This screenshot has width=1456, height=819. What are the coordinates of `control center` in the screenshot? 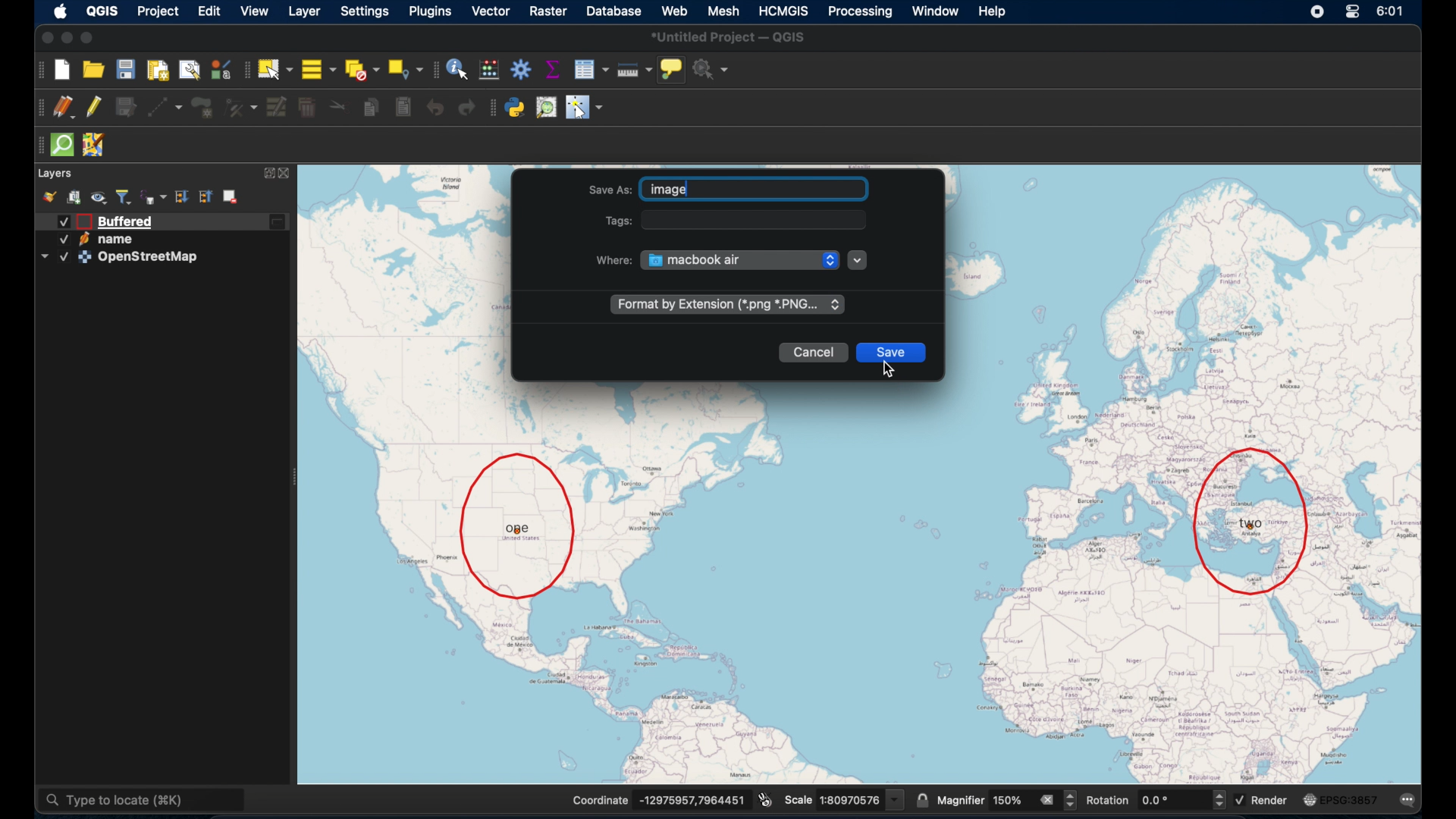 It's located at (1316, 11).